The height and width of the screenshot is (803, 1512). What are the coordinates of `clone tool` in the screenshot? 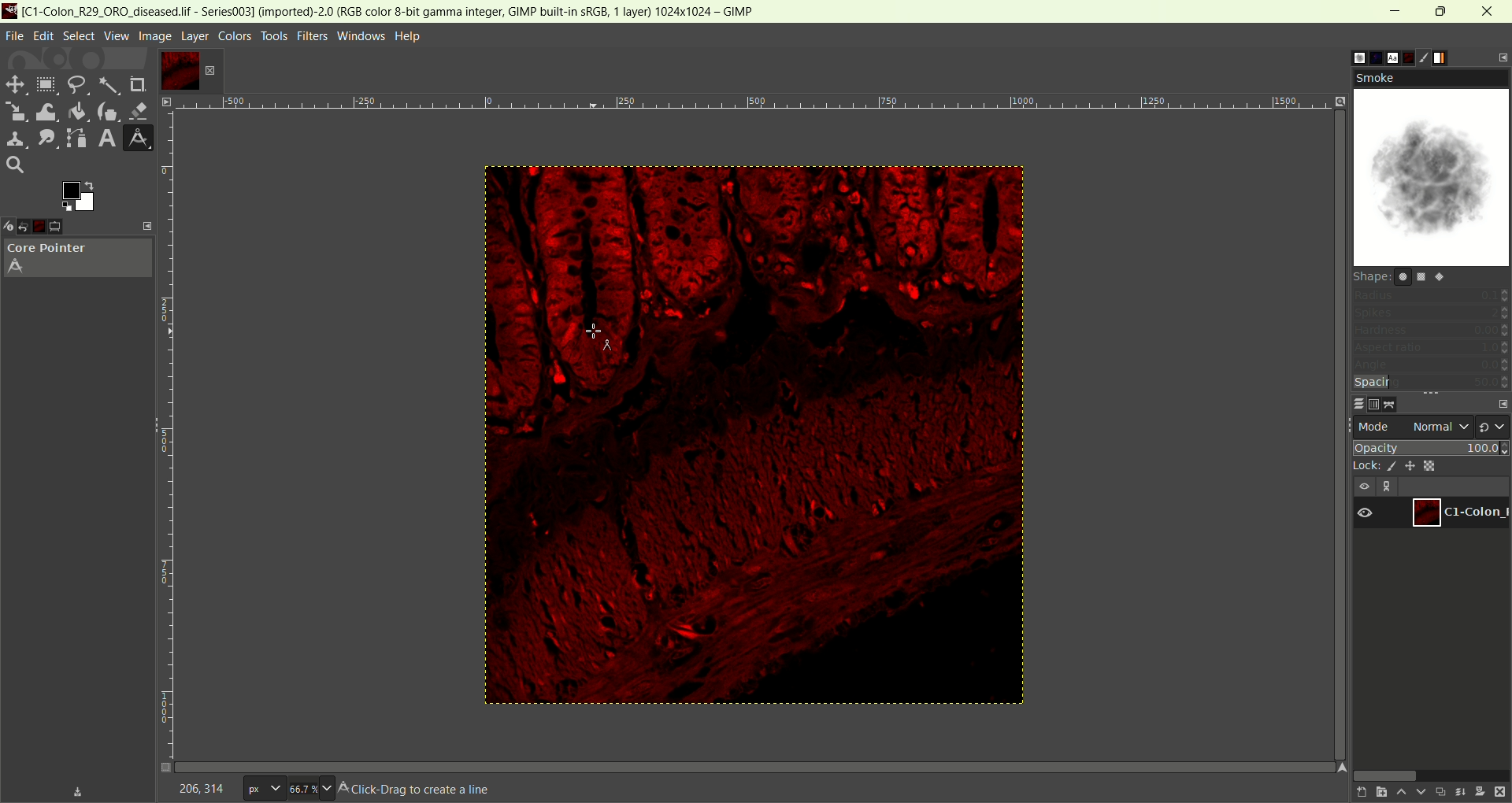 It's located at (13, 139).